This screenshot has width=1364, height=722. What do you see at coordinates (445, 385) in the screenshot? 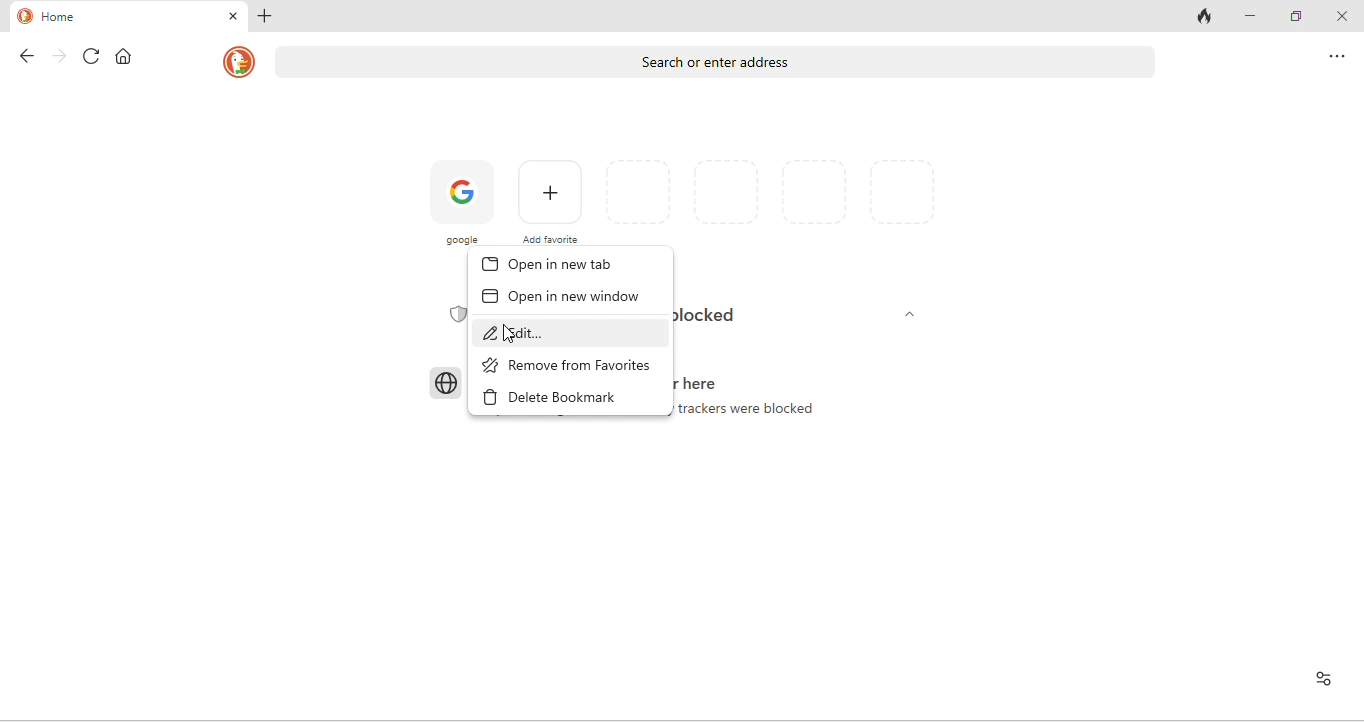
I see `Browser icon` at bounding box center [445, 385].